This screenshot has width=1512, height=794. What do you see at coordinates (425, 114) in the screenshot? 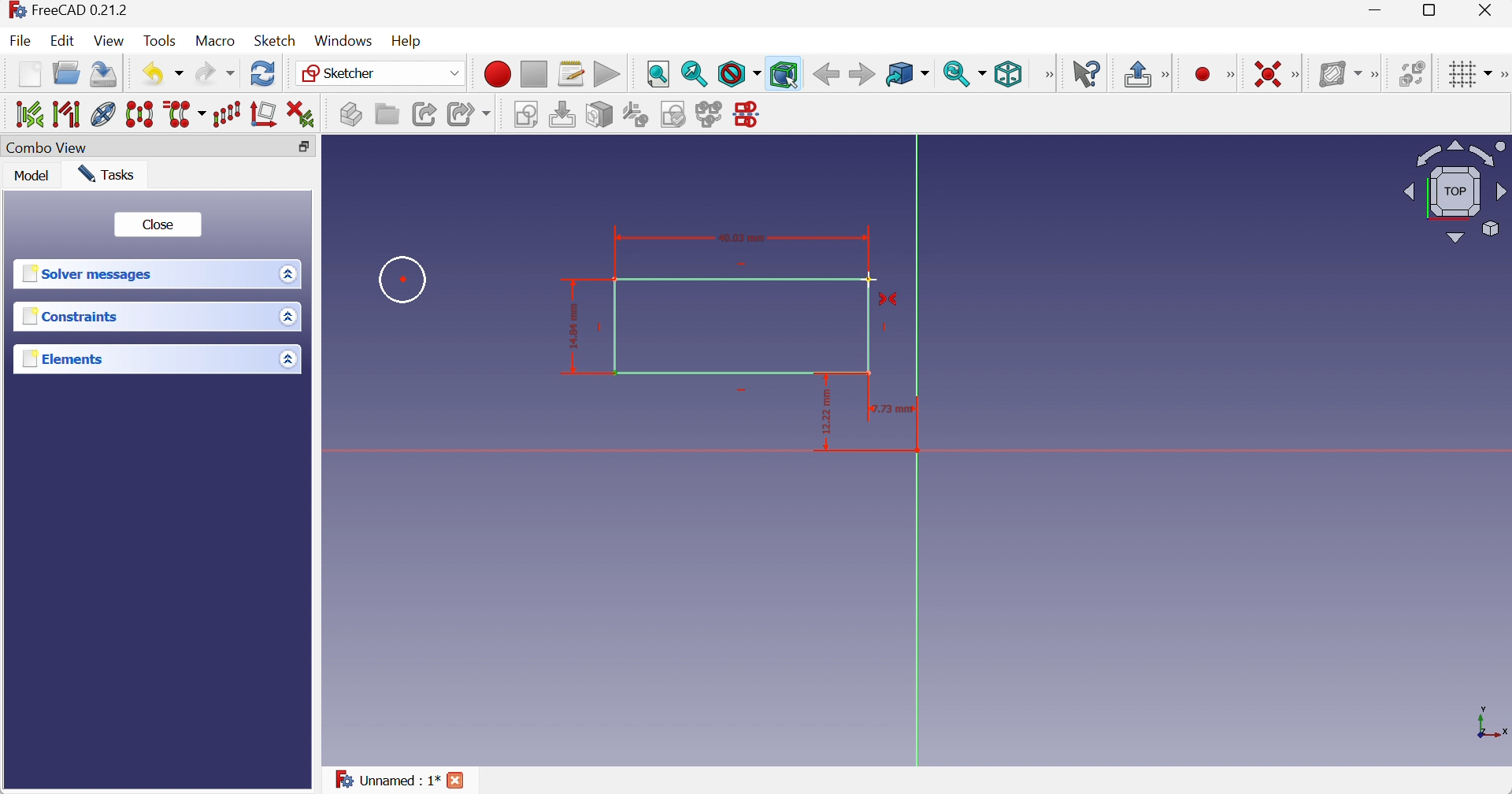
I see `Make link` at bounding box center [425, 114].